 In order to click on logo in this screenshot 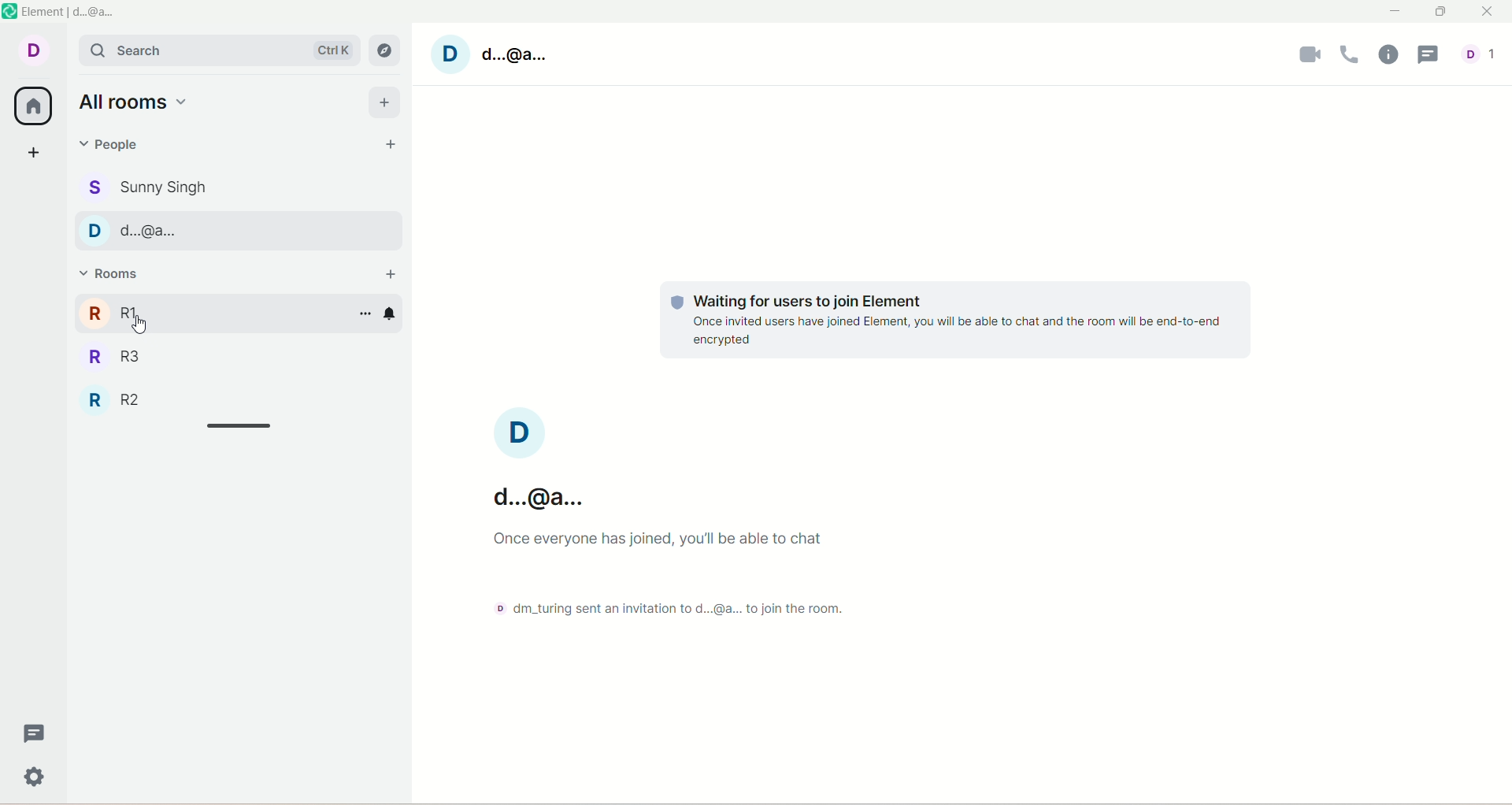, I will do `click(10, 12)`.